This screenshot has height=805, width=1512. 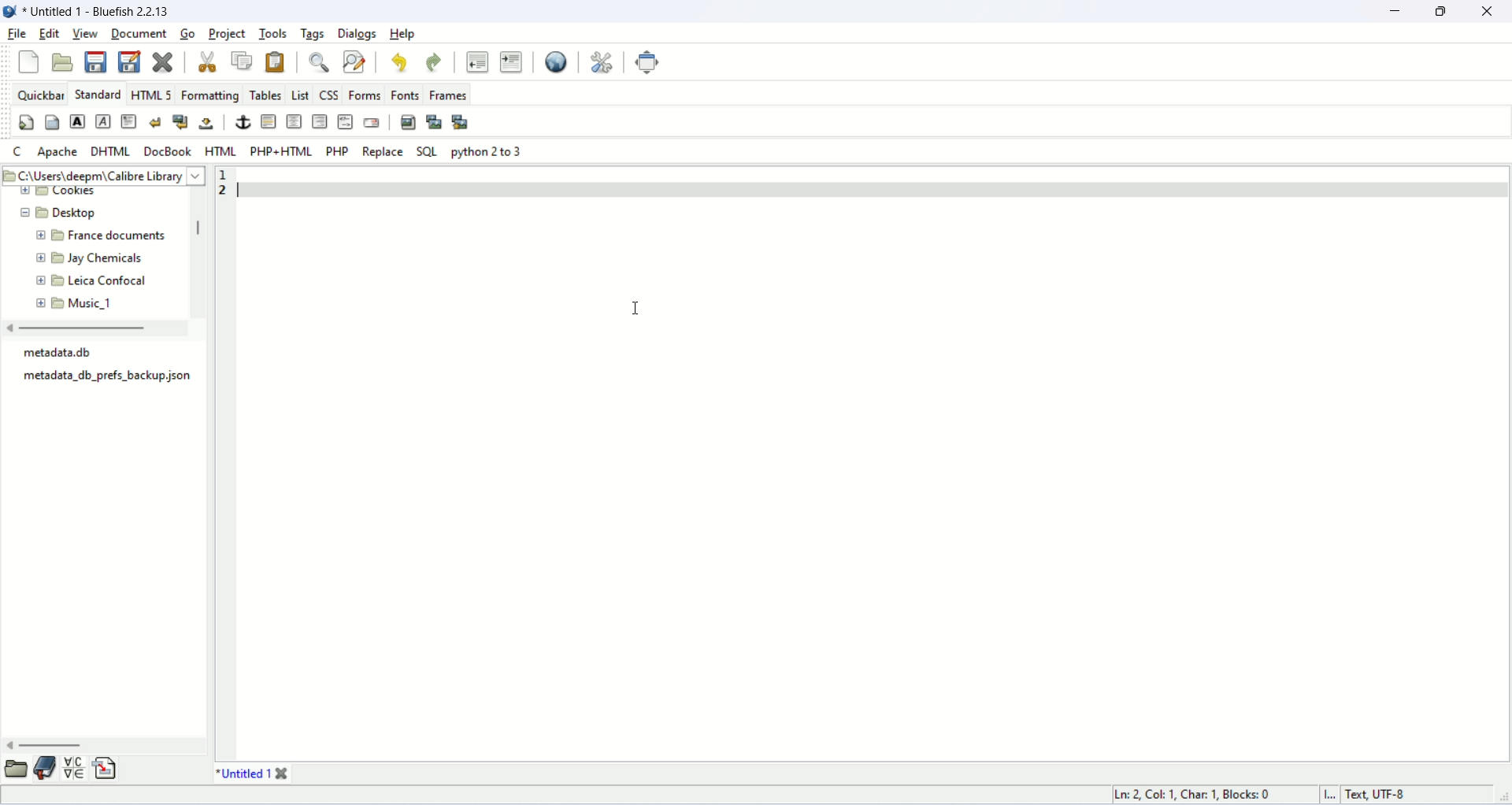 What do you see at coordinates (647, 63) in the screenshot?
I see `fullscreen` at bounding box center [647, 63].